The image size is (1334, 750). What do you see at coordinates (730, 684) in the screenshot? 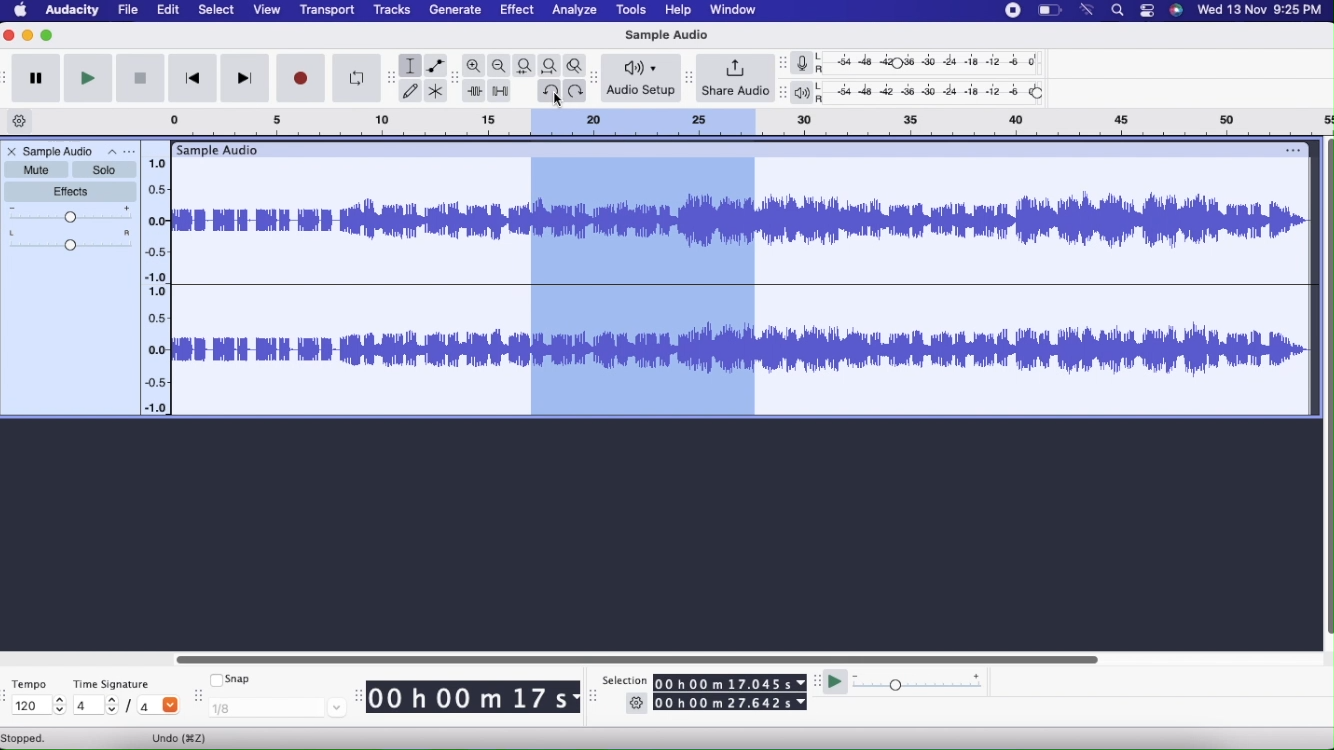
I see `00 h 00 m 17.575 s` at bounding box center [730, 684].